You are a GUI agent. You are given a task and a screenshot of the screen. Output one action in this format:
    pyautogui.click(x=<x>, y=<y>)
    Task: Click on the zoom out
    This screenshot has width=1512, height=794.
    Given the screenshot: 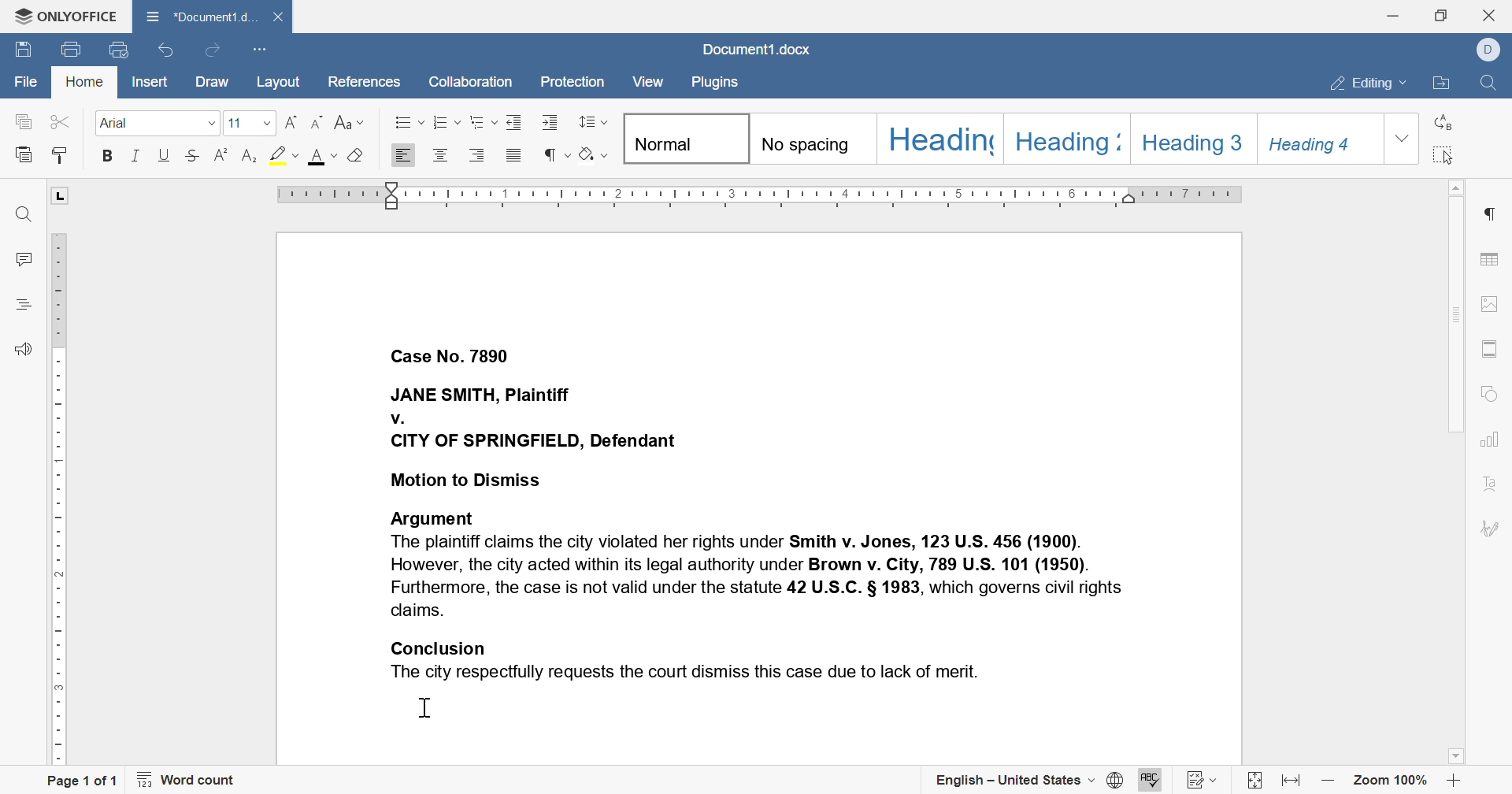 What is the action you would take?
    pyautogui.click(x=1328, y=783)
    